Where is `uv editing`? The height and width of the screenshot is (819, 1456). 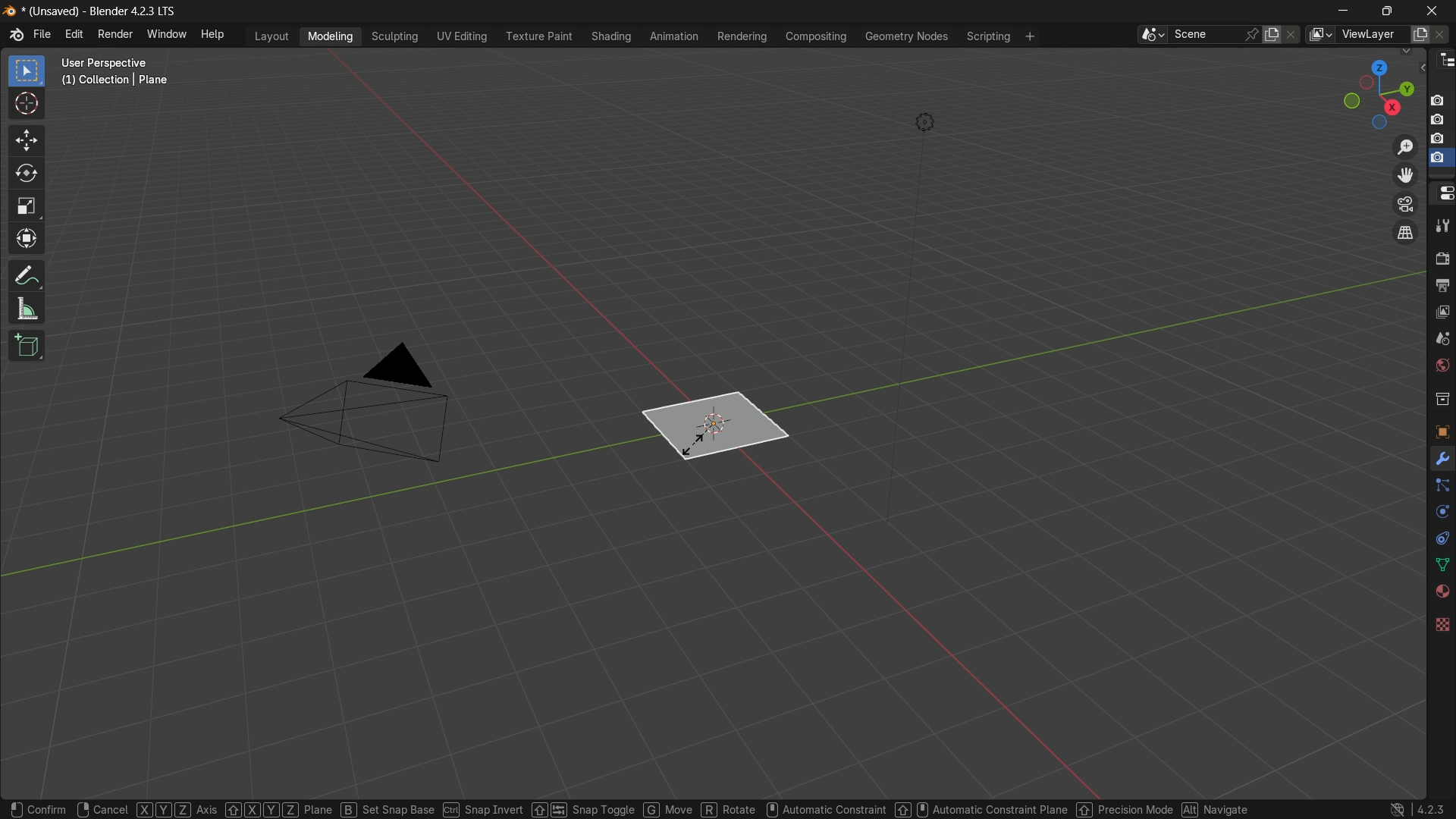 uv editing is located at coordinates (463, 37).